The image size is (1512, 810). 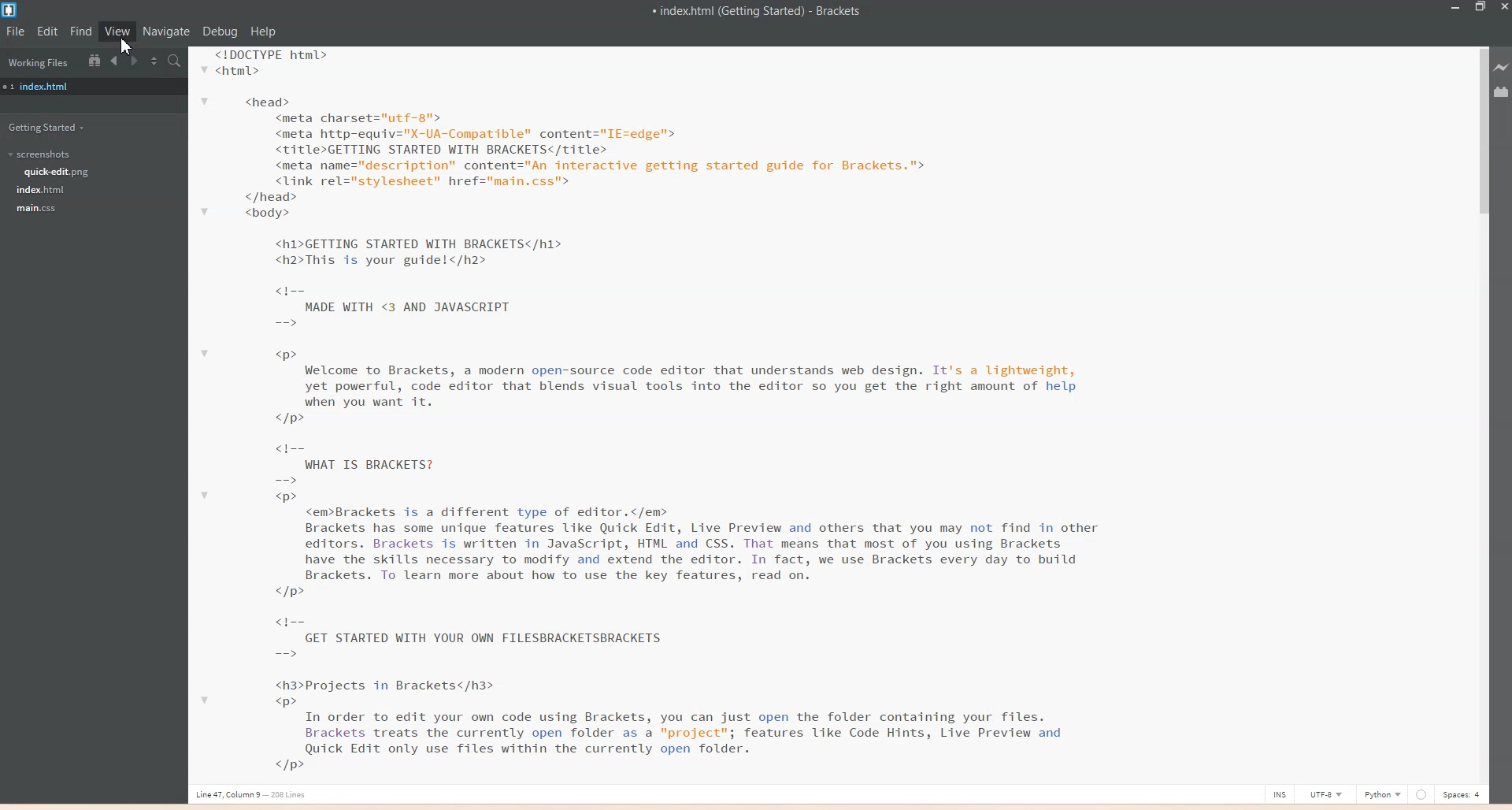 What do you see at coordinates (45, 128) in the screenshot?
I see `Getting Started` at bounding box center [45, 128].